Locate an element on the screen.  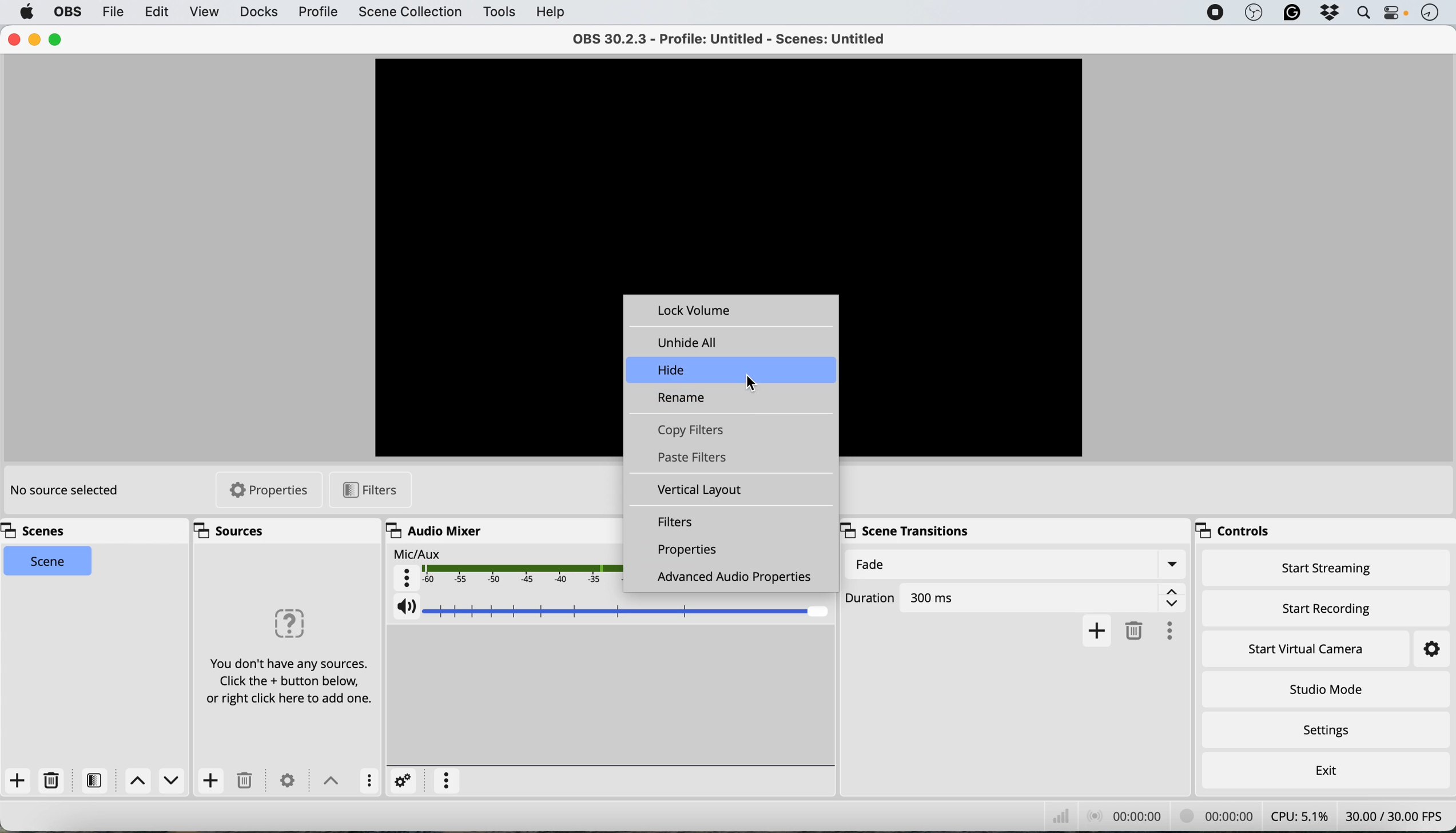
help is located at coordinates (548, 11).